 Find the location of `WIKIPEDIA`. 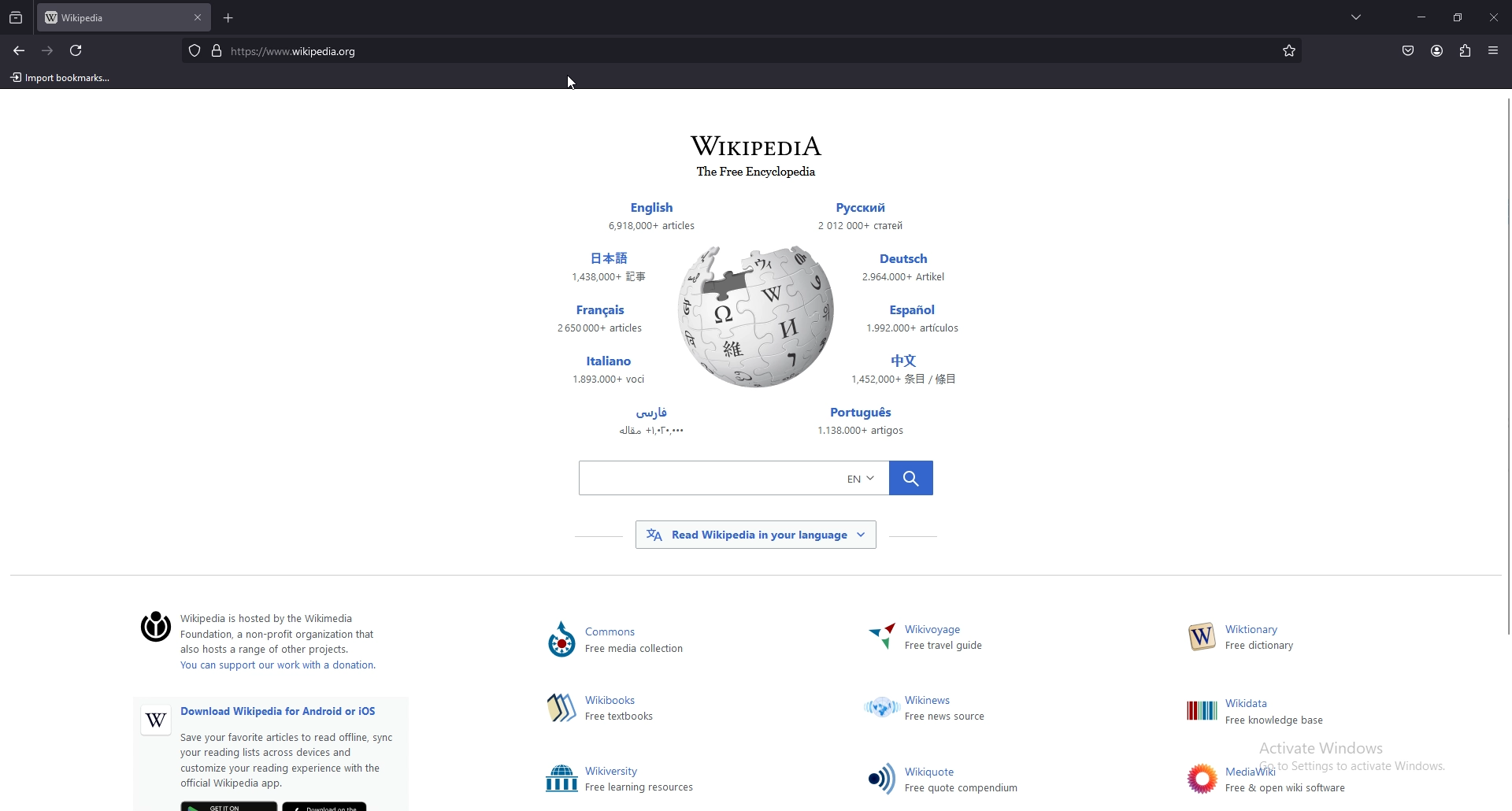

WIKIPEDIA is located at coordinates (761, 146).